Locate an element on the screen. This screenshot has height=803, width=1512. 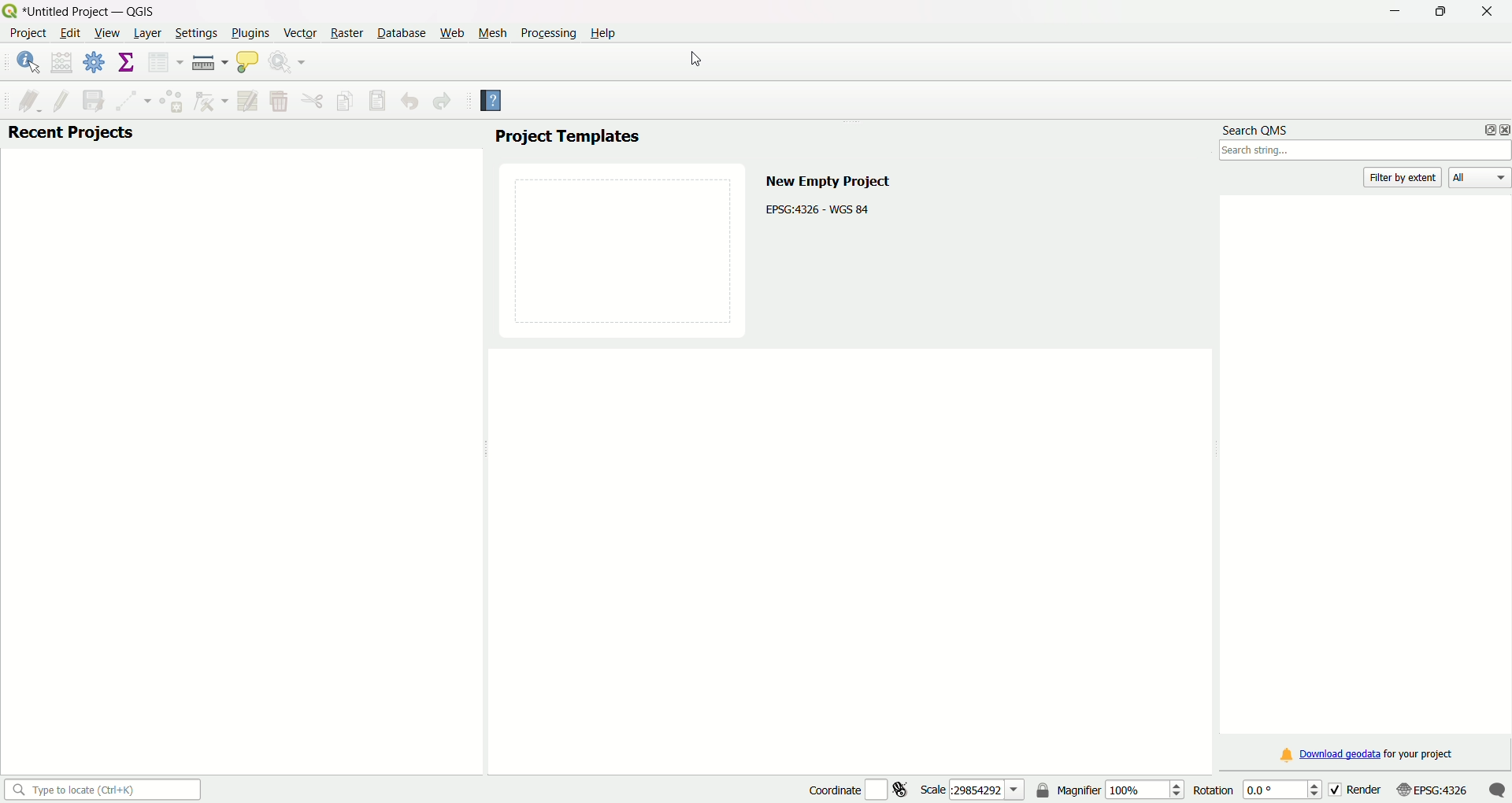
undo is located at coordinates (409, 102).